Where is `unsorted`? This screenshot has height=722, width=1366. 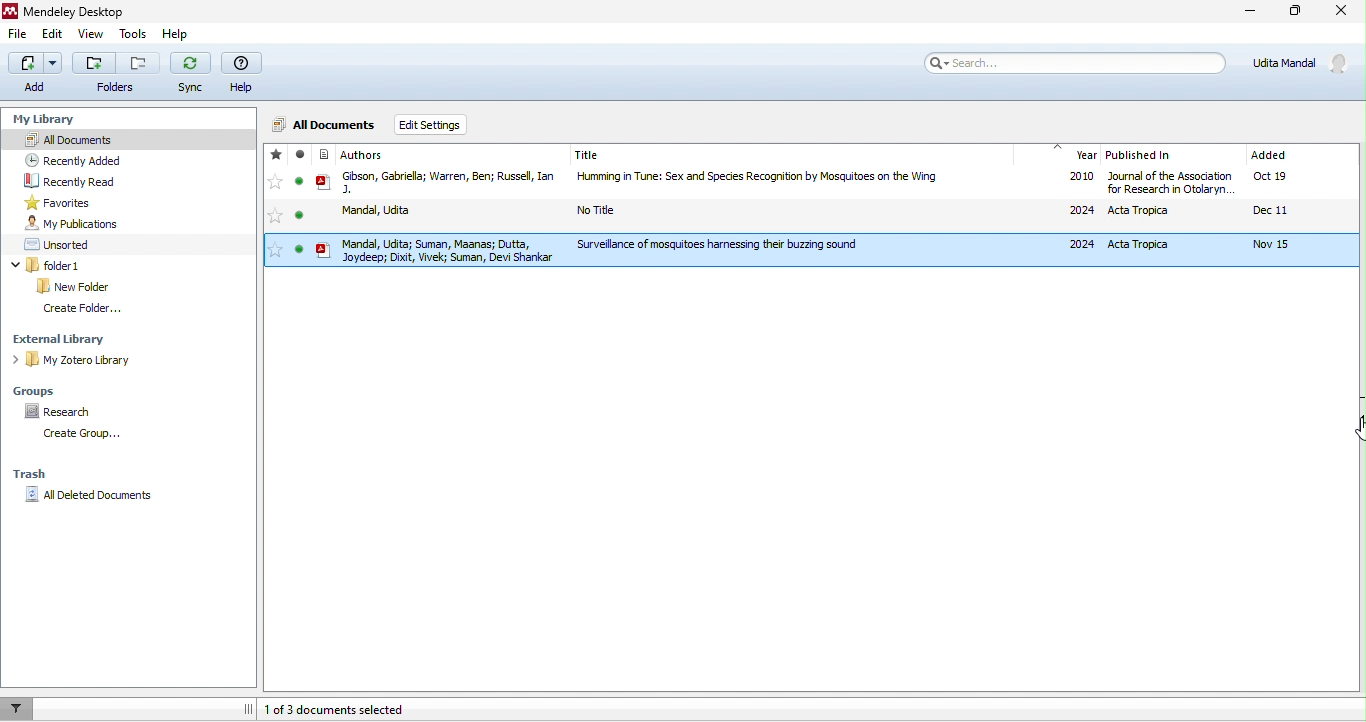 unsorted is located at coordinates (64, 246).